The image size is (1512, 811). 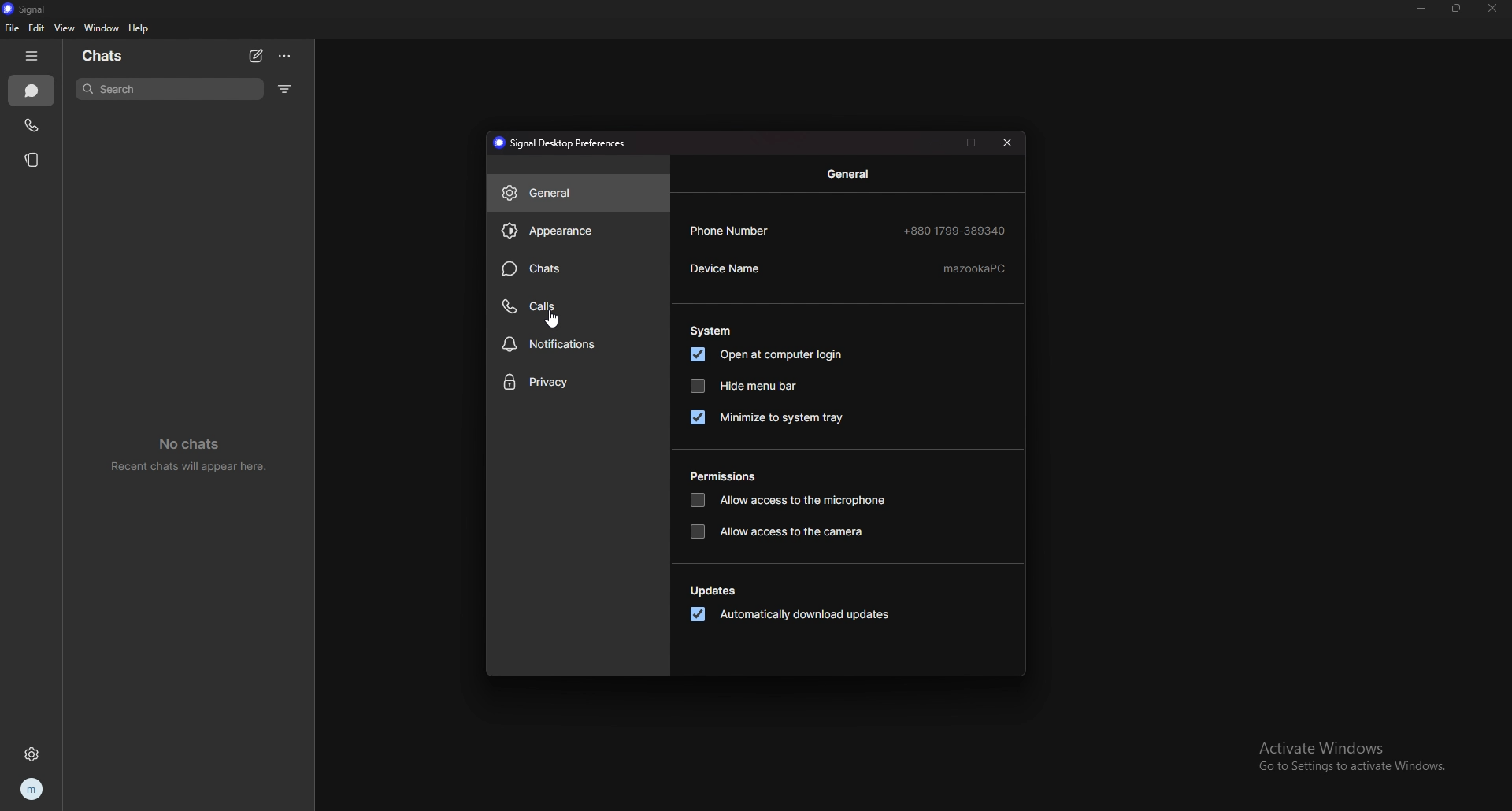 What do you see at coordinates (848, 230) in the screenshot?
I see `phone number` at bounding box center [848, 230].